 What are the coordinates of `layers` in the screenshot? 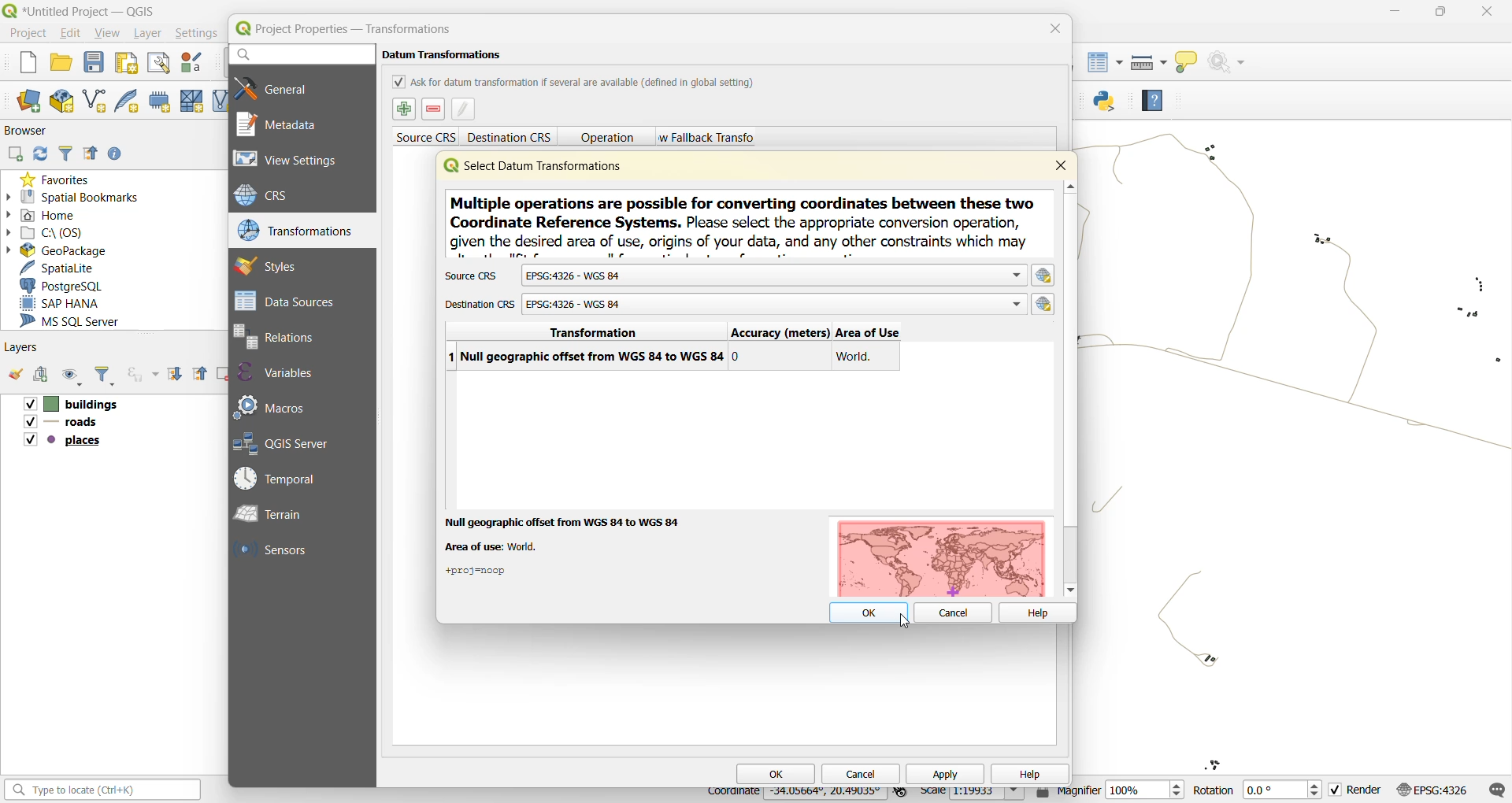 It's located at (20, 348).